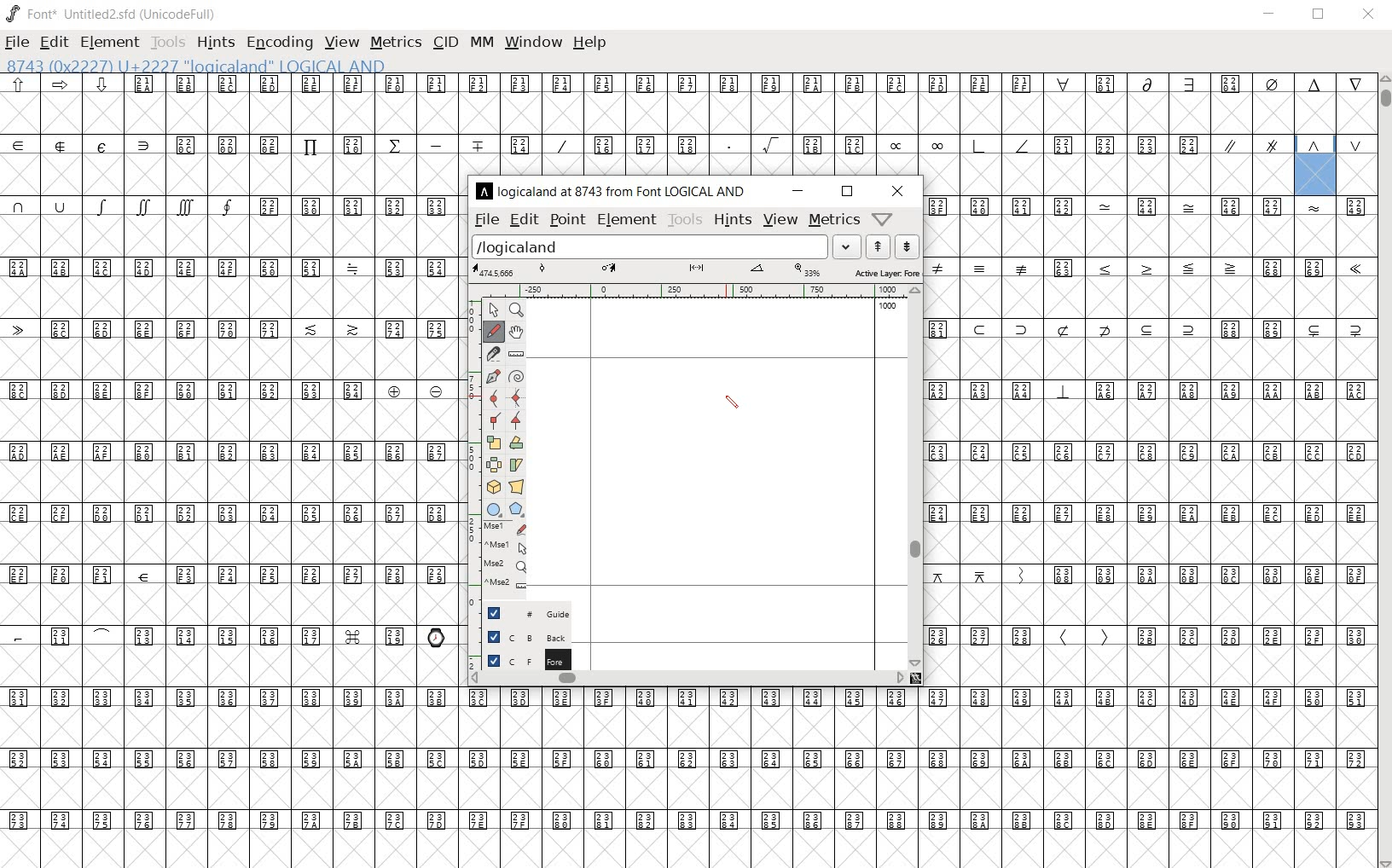 This screenshot has width=1392, height=868. What do you see at coordinates (492, 509) in the screenshot?
I see `rectangle or ellipse` at bounding box center [492, 509].